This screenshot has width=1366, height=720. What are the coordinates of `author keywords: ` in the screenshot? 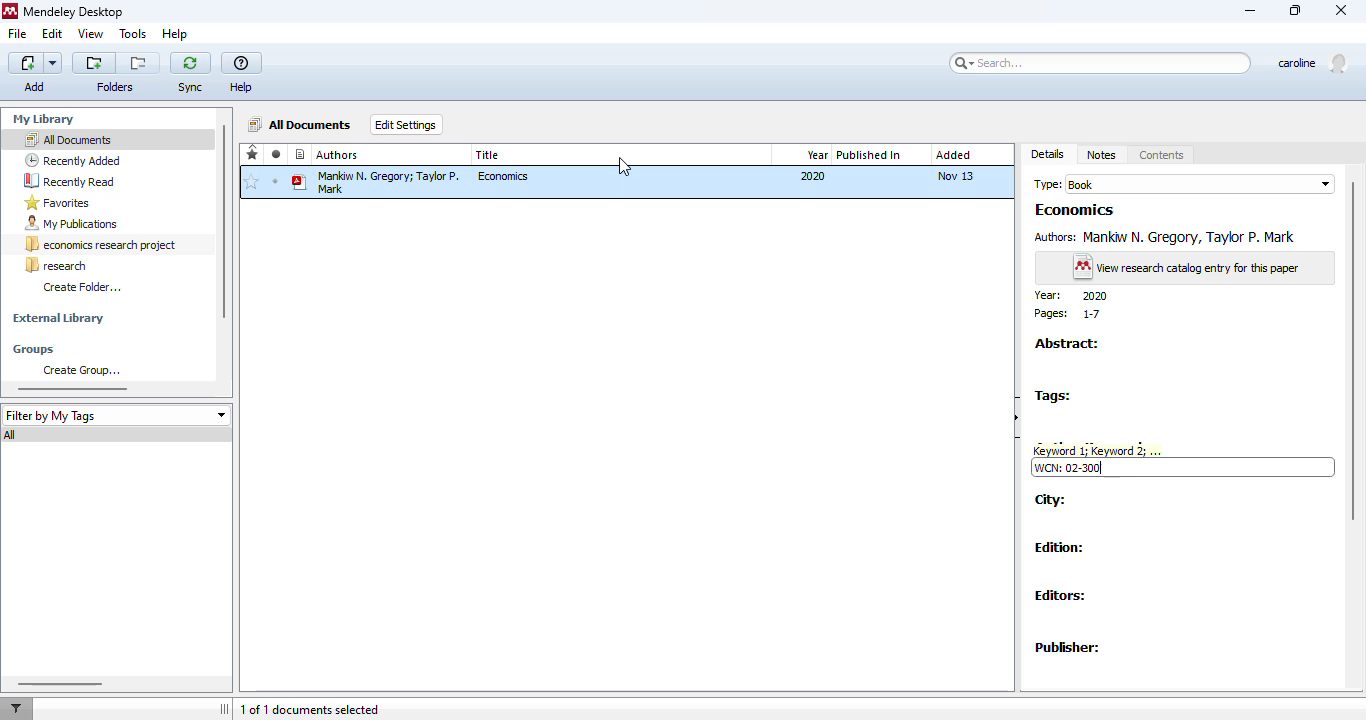 It's located at (1097, 447).